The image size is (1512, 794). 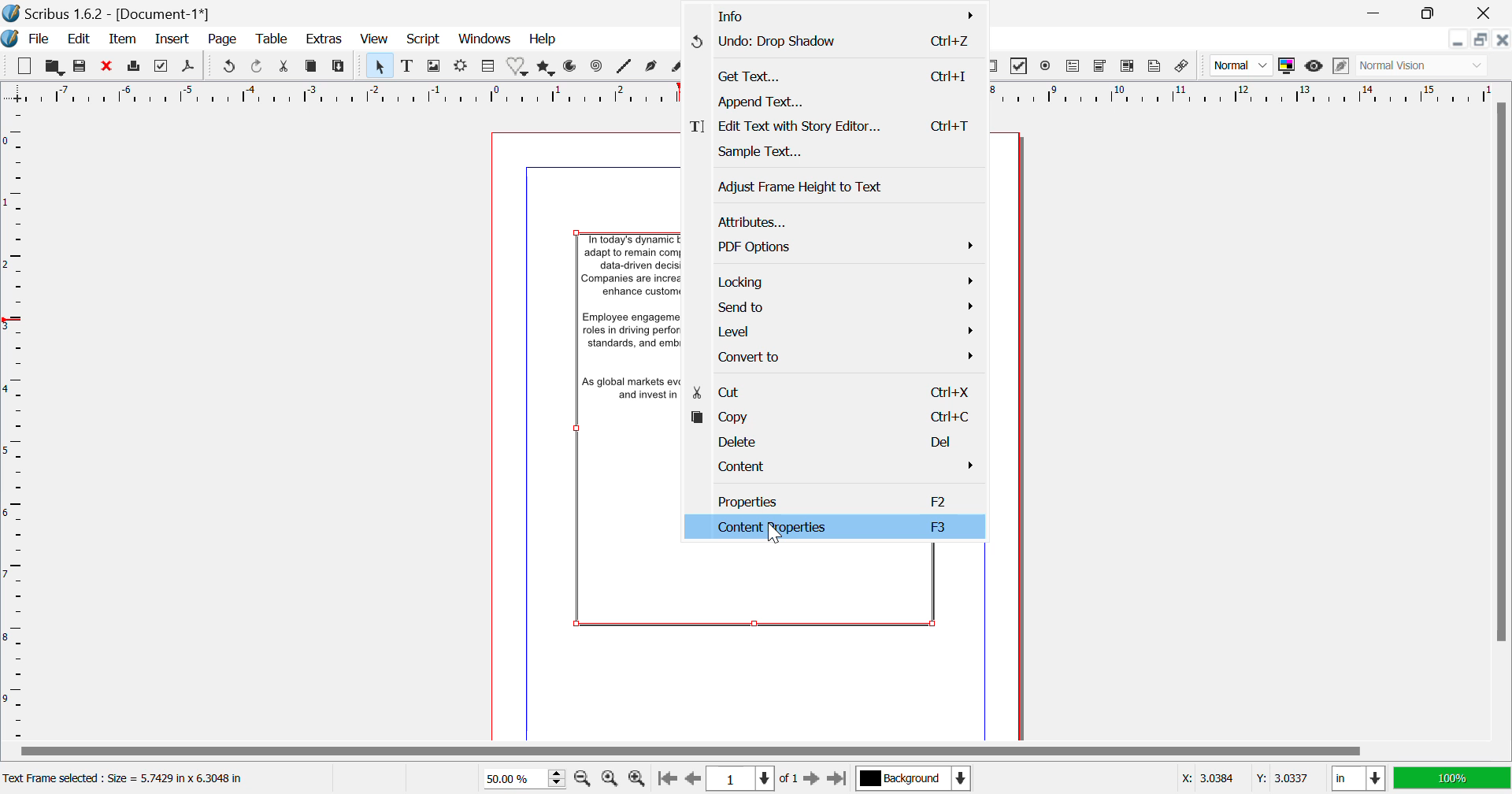 What do you see at coordinates (1288, 65) in the screenshot?
I see `Toggle Color Management` at bounding box center [1288, 65].